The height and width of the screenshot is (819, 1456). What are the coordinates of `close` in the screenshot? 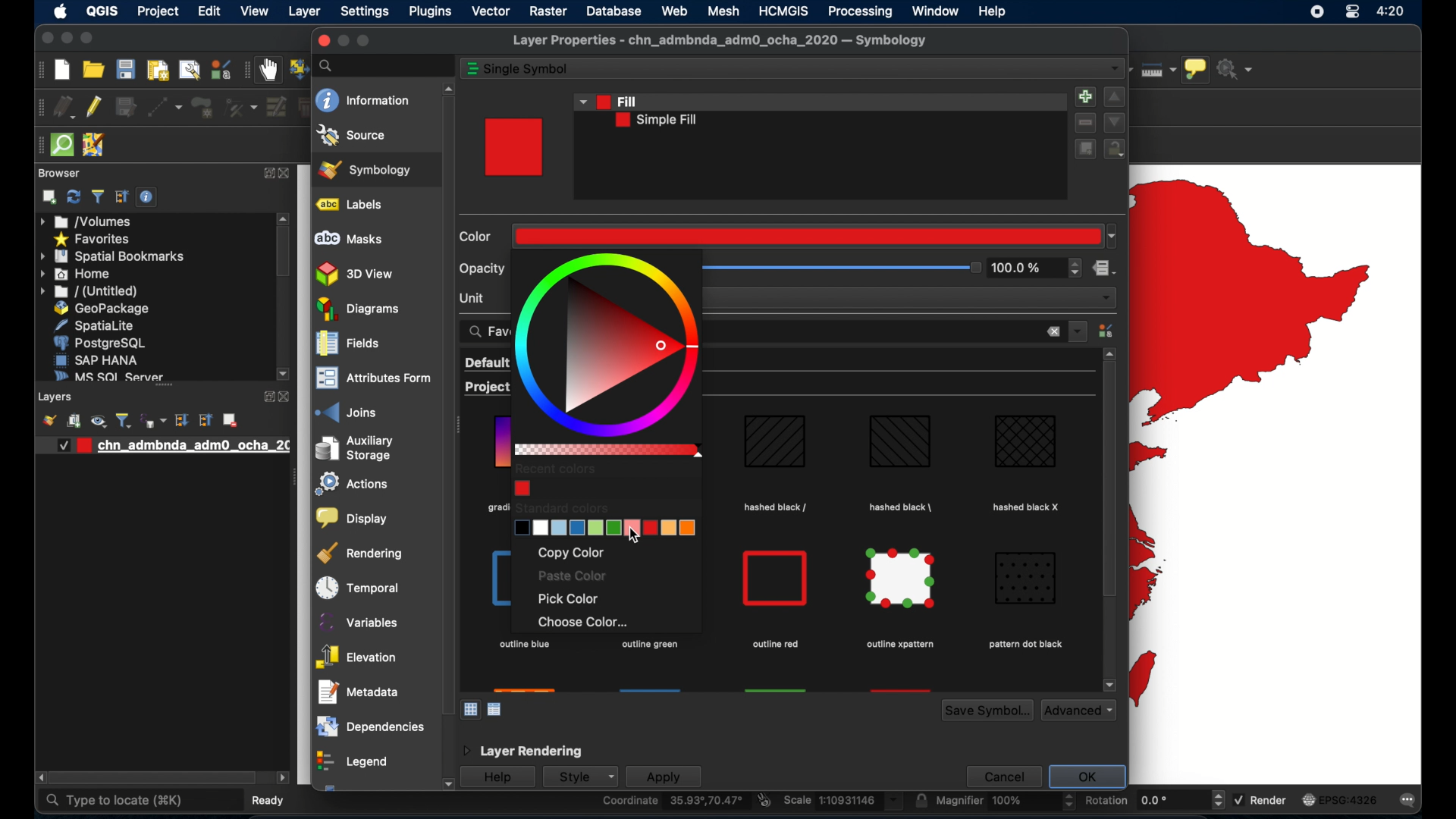 It's located at (287, 397).